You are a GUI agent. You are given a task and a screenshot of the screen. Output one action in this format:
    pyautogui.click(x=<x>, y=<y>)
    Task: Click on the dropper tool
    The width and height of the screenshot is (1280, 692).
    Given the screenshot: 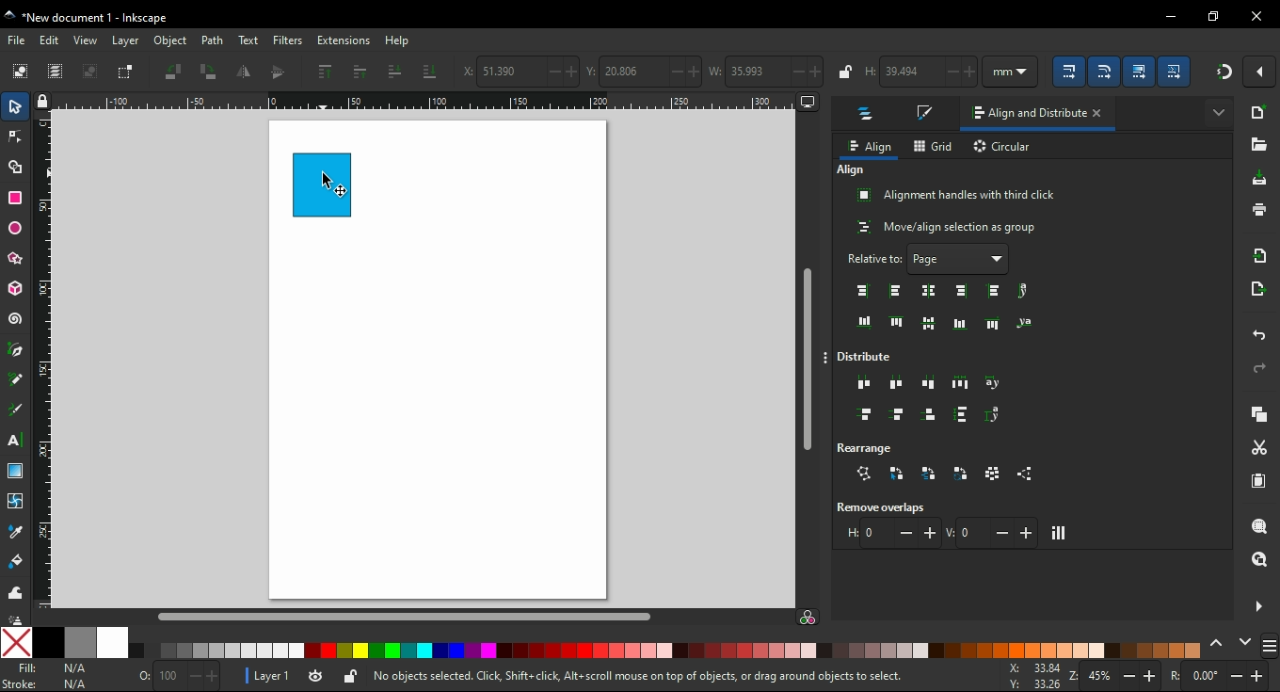 What is the action you would take?
    pyautogui.click(x=17, y=532)
    